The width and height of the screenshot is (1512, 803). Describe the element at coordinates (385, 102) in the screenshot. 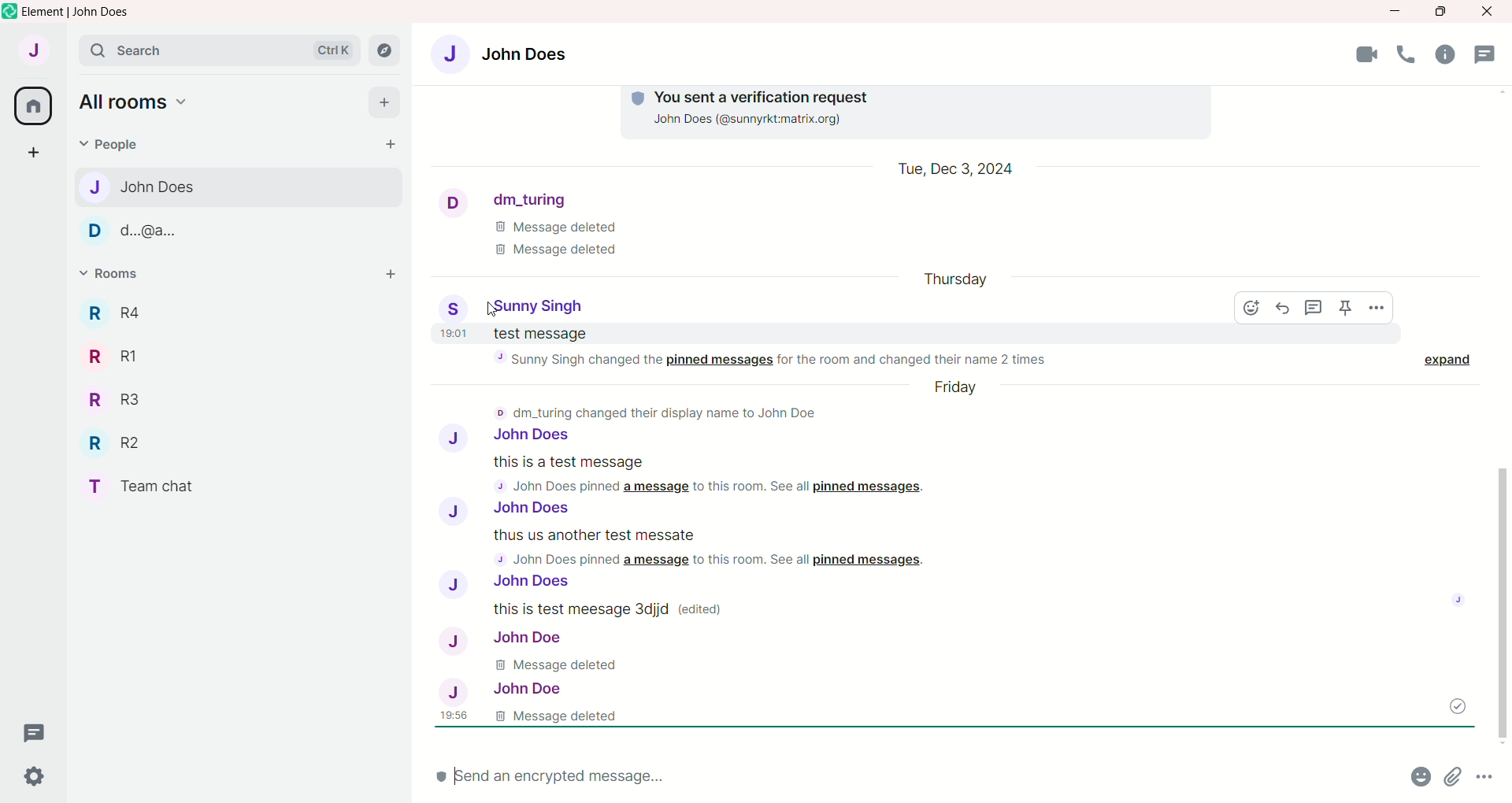

I see `add` at that location.